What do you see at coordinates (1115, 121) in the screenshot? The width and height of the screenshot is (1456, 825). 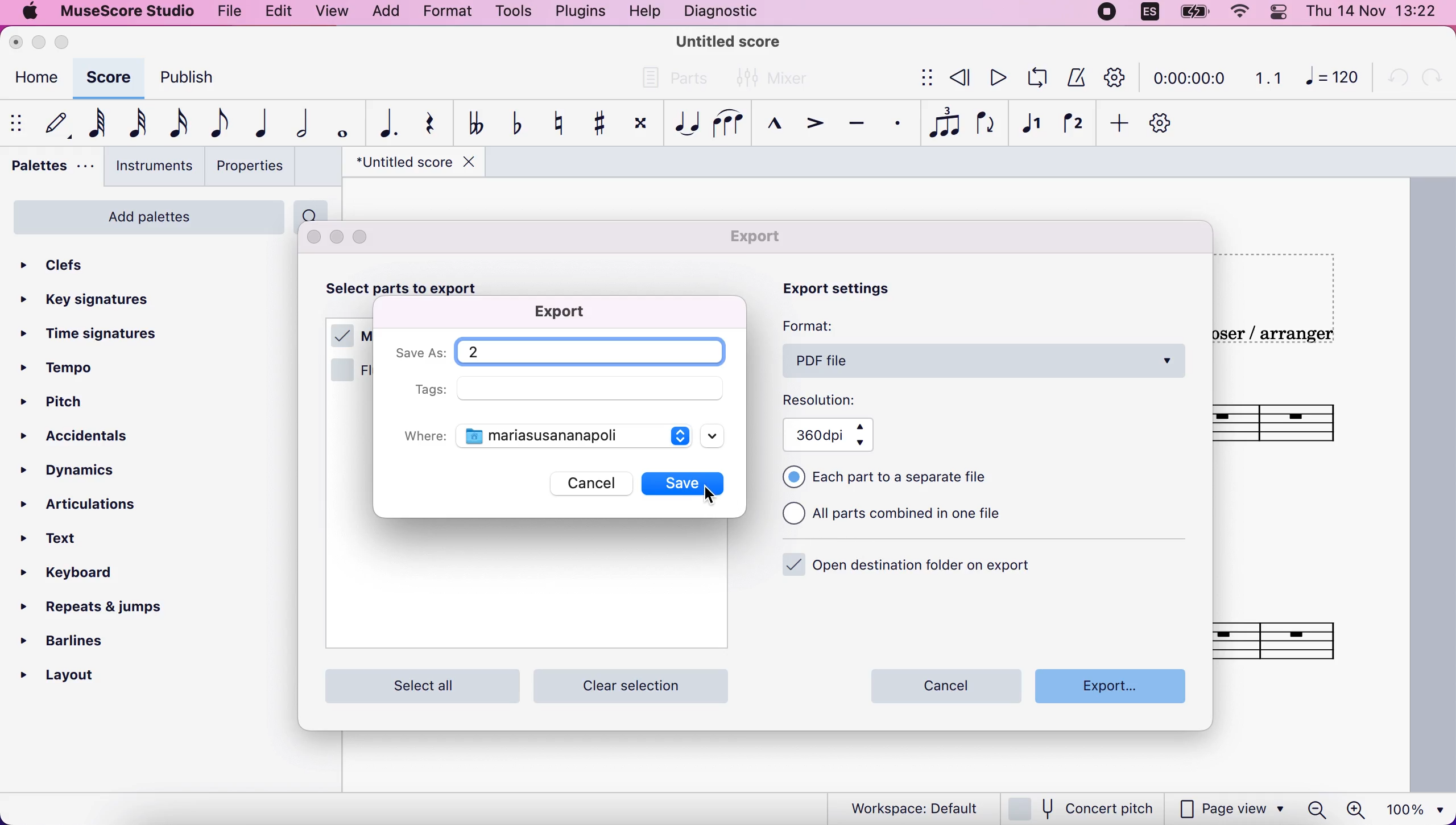 I see `add` at bounding box center [1115, 121].